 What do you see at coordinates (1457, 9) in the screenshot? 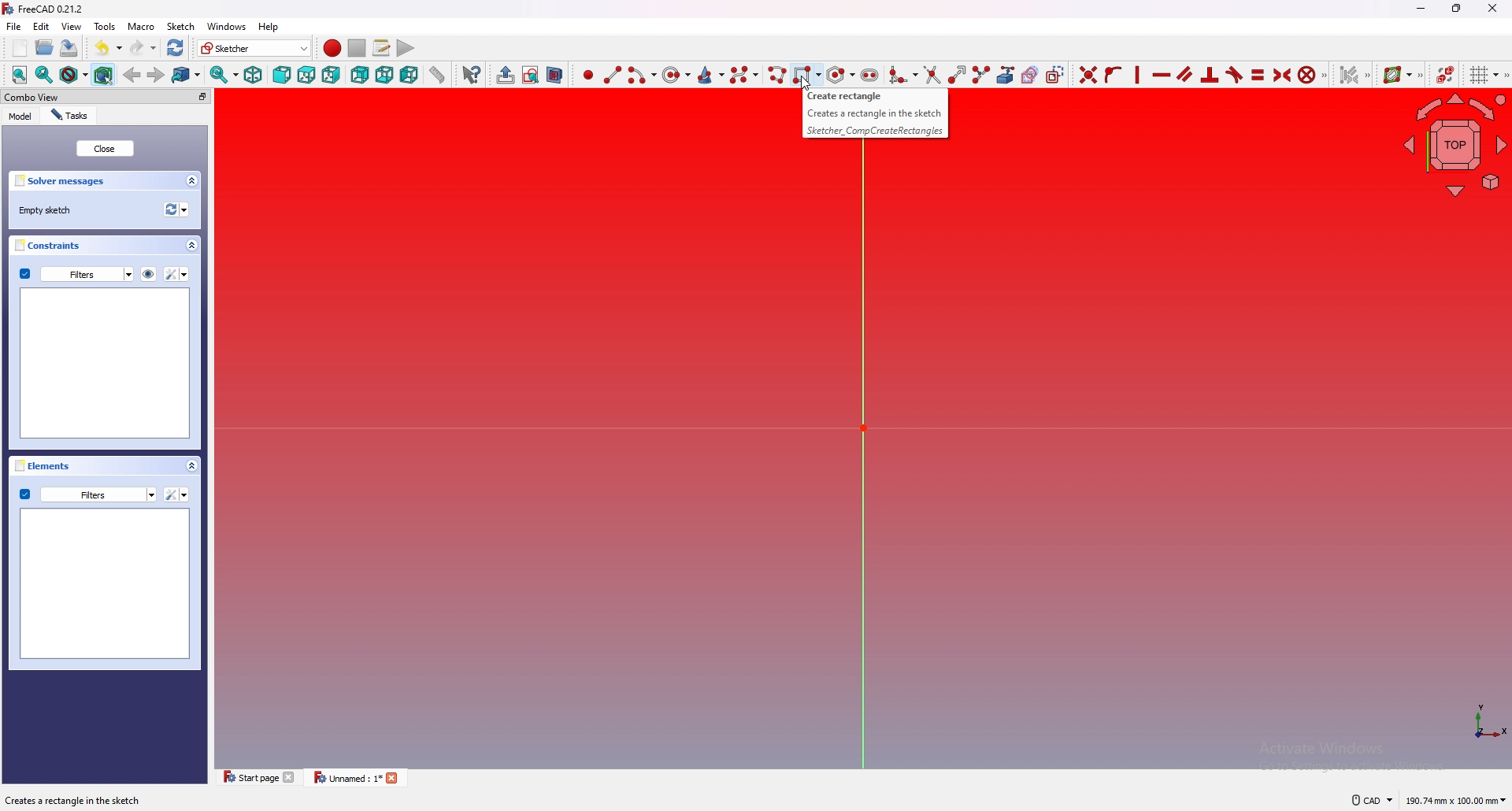
I see `resize` at bounding box center [1457, 9].